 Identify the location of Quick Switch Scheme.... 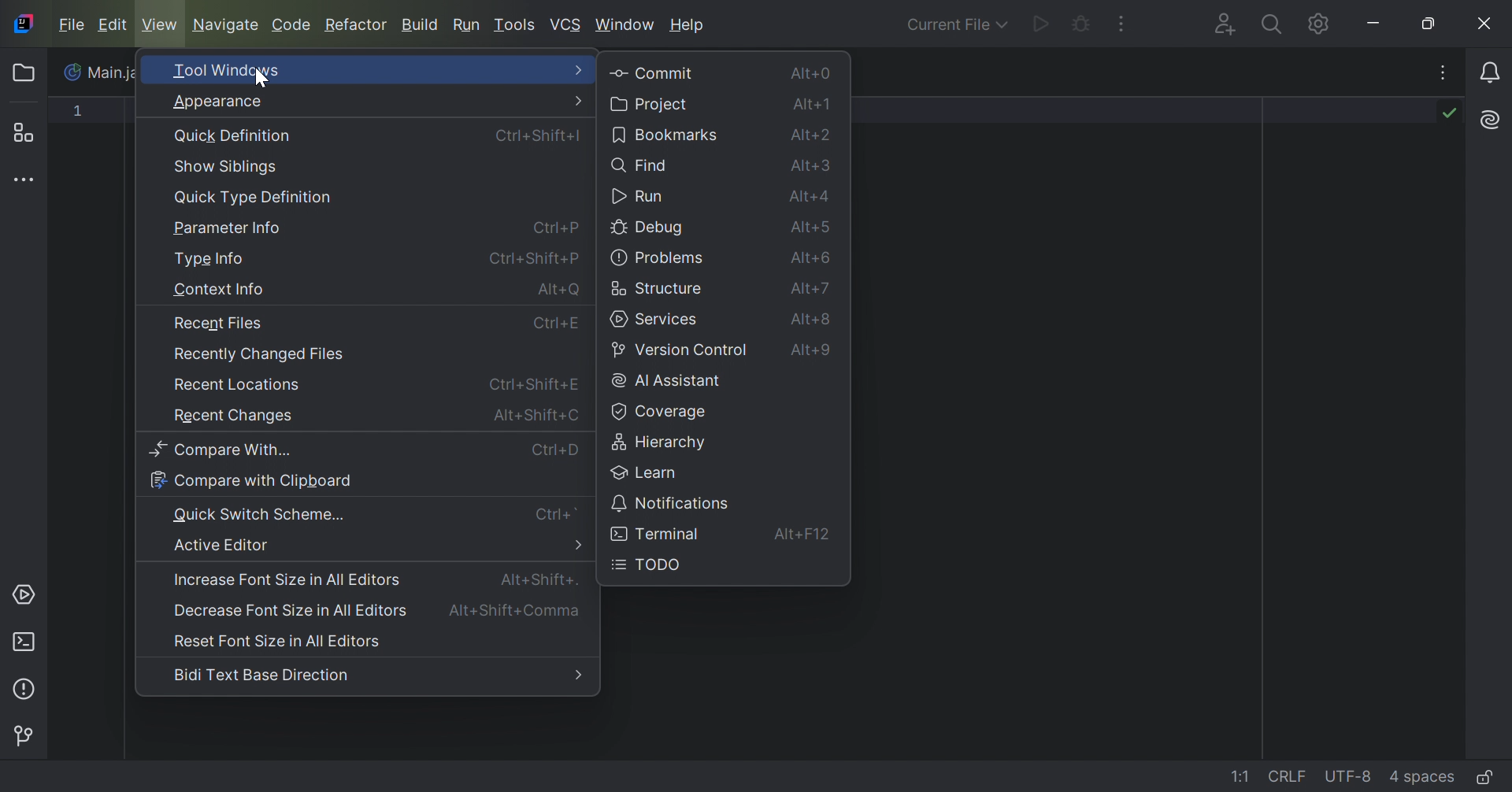
(259, 513).